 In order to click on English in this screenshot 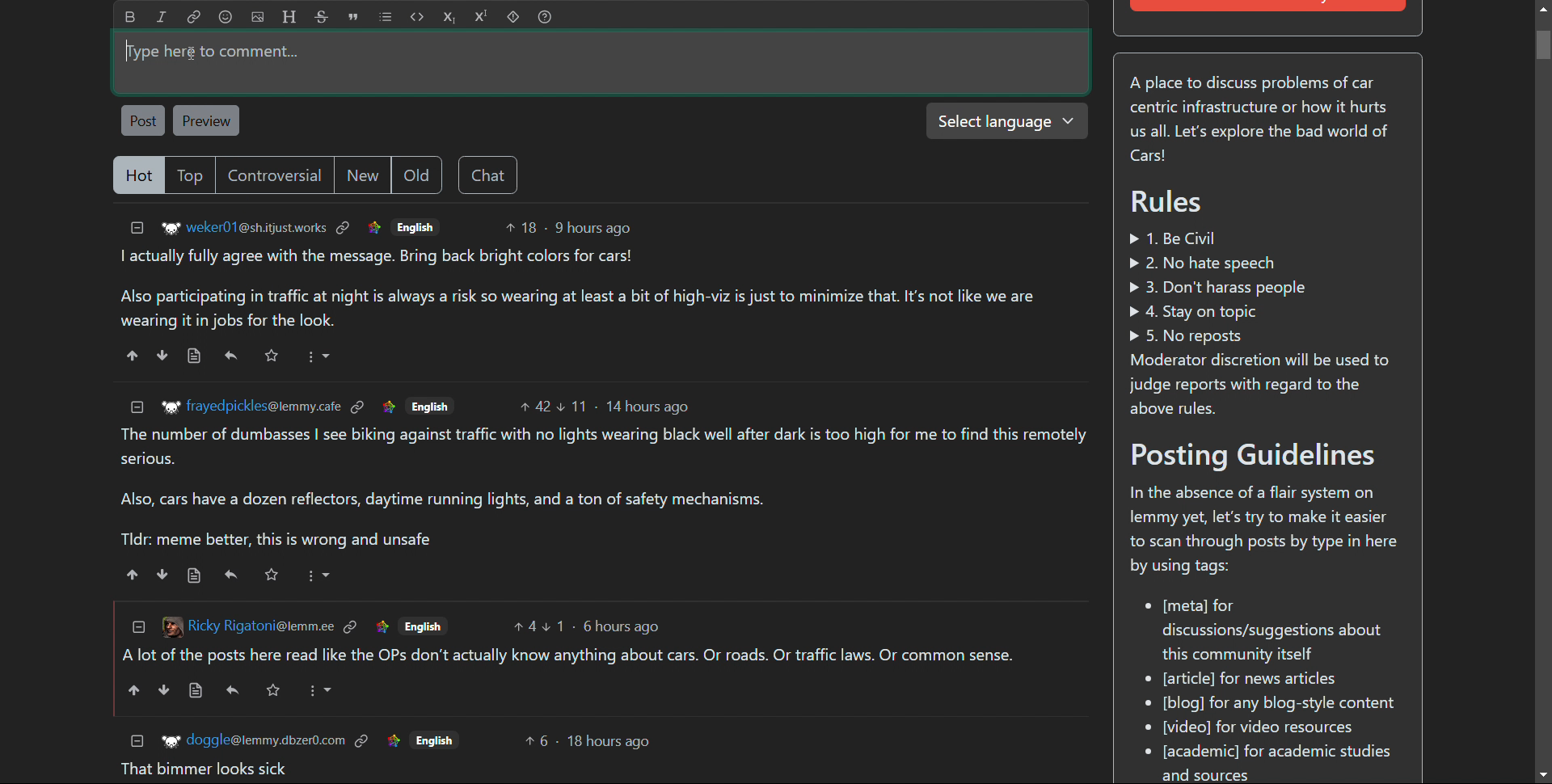, I will do `click(430, 404)`.